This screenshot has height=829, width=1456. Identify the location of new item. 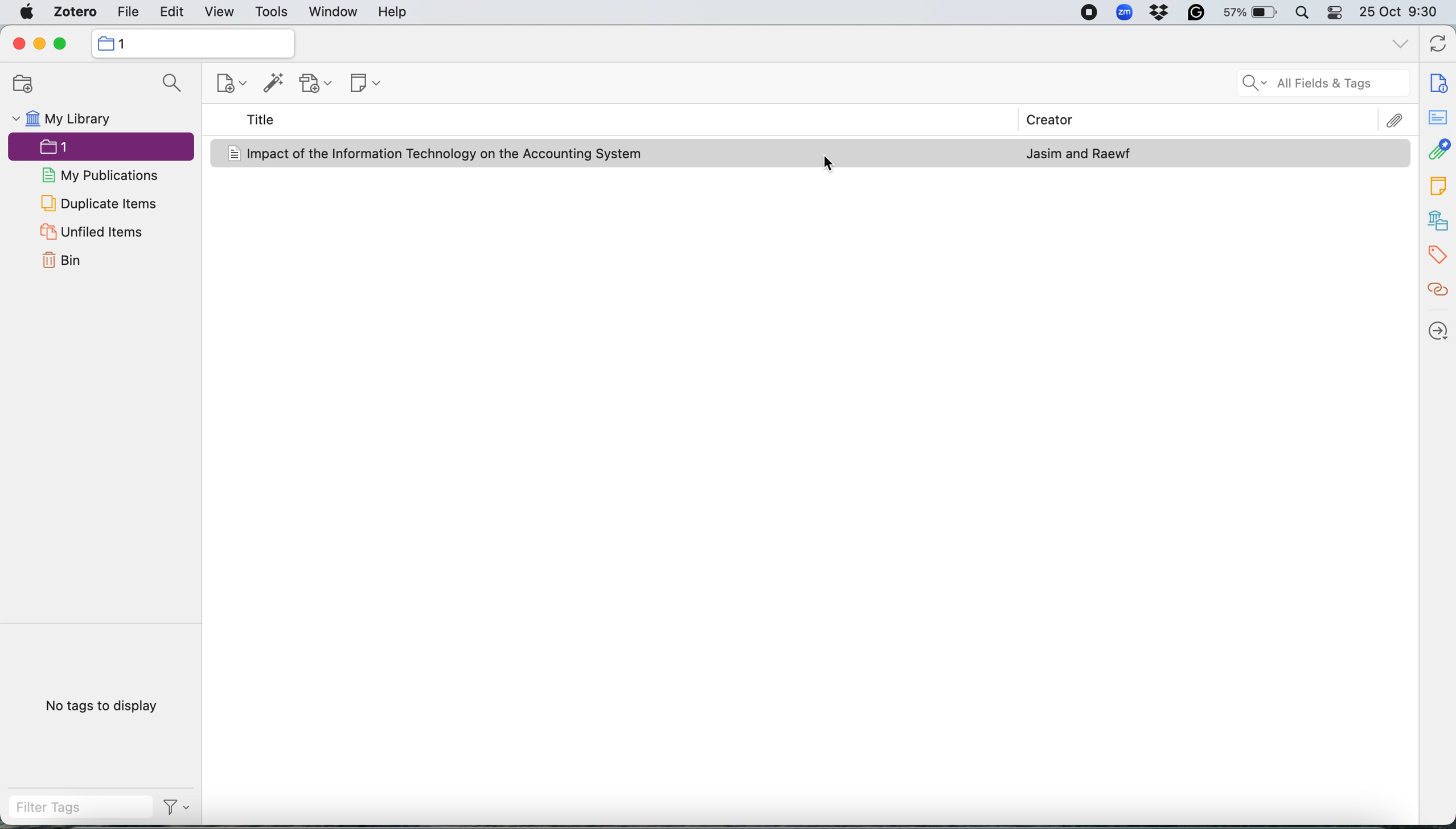
(231, 84).